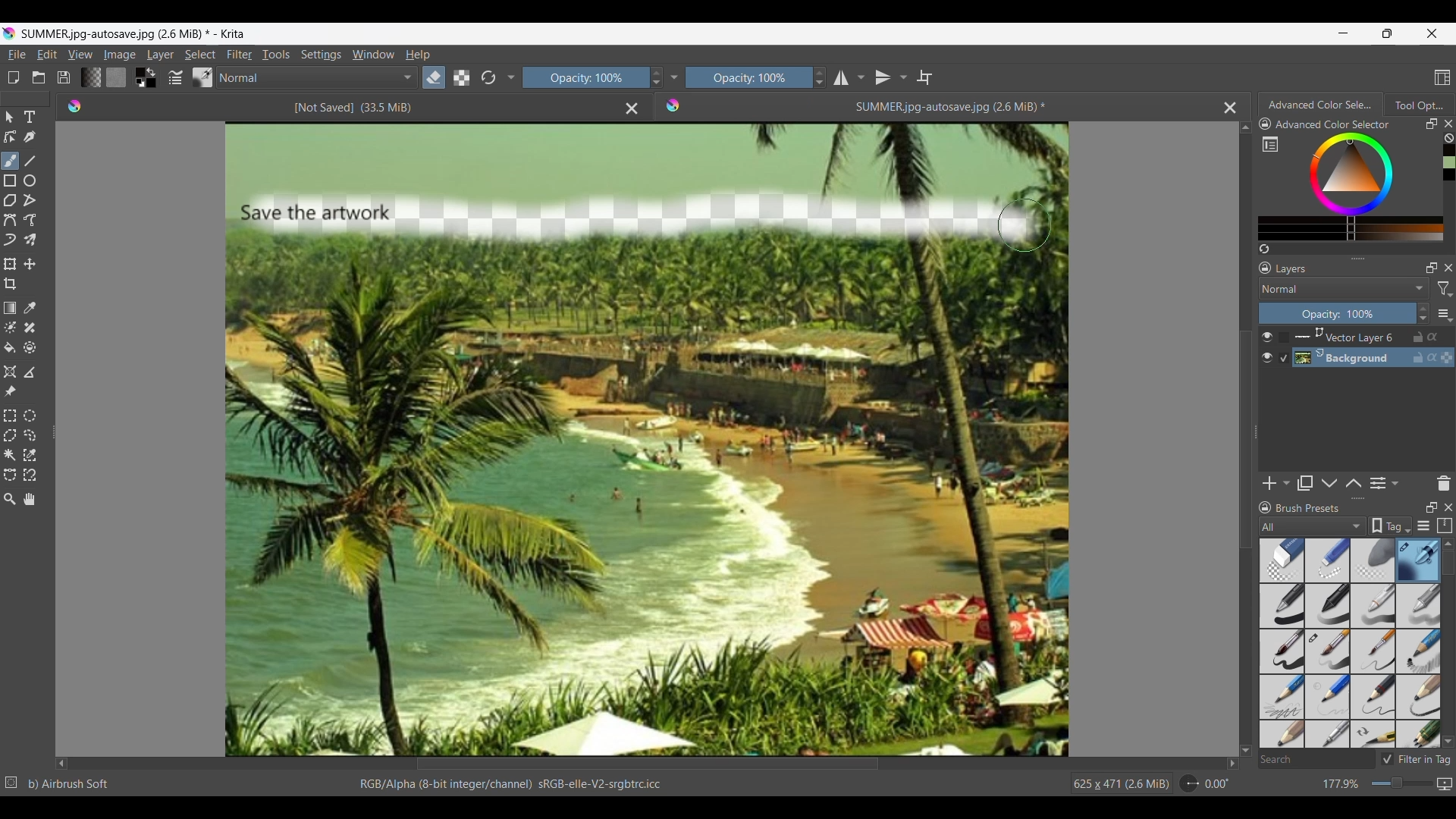 Image resolution: width=1456 pixels, height=819 pixels. Describe the element at coordinates (29, 499) in the screenshot. I see `Pan tool` at that location.